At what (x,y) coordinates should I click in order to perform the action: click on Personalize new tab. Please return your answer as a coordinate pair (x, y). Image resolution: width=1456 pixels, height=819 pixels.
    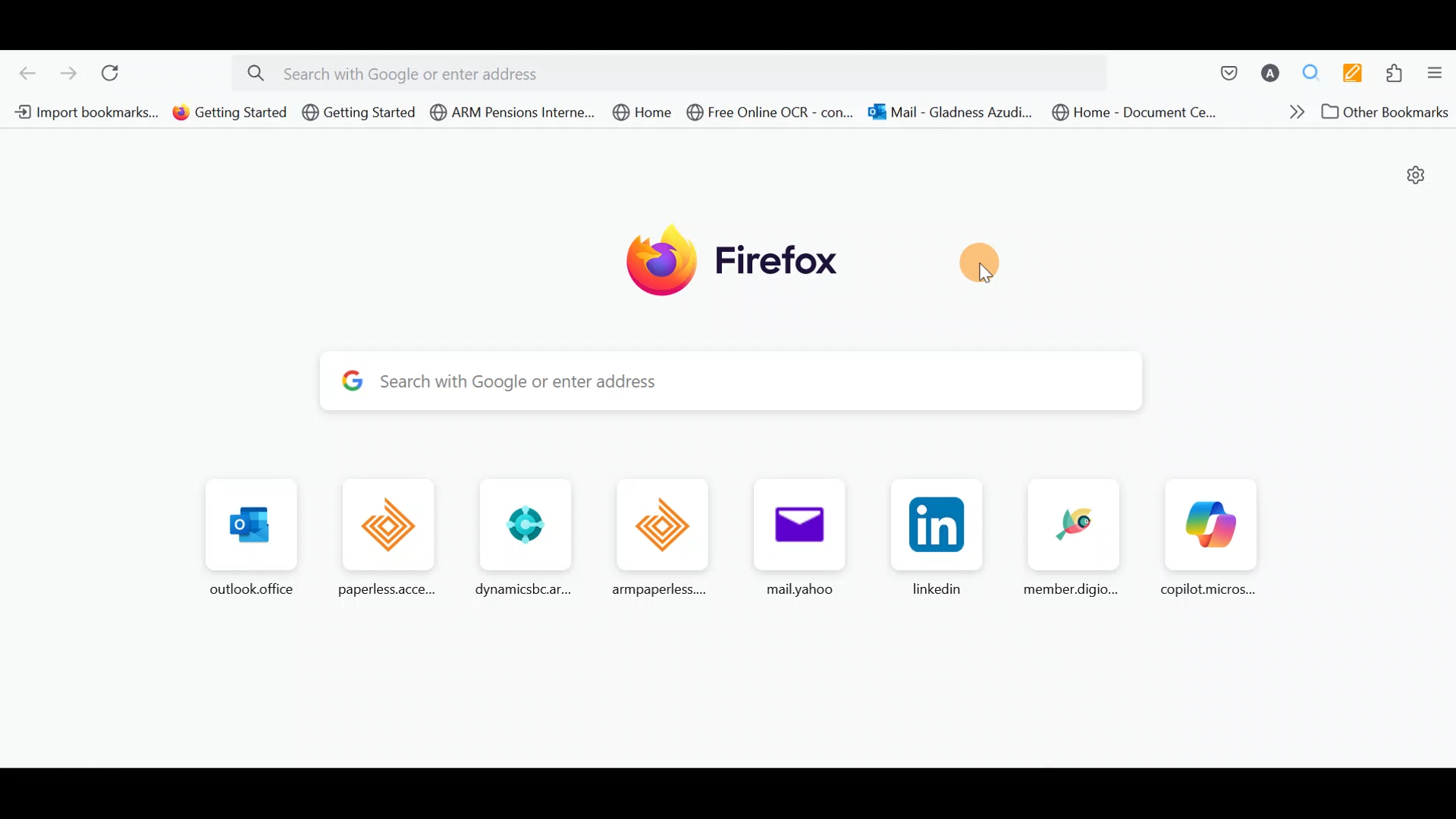
    Looking at the image, I should click on (1415, 175).